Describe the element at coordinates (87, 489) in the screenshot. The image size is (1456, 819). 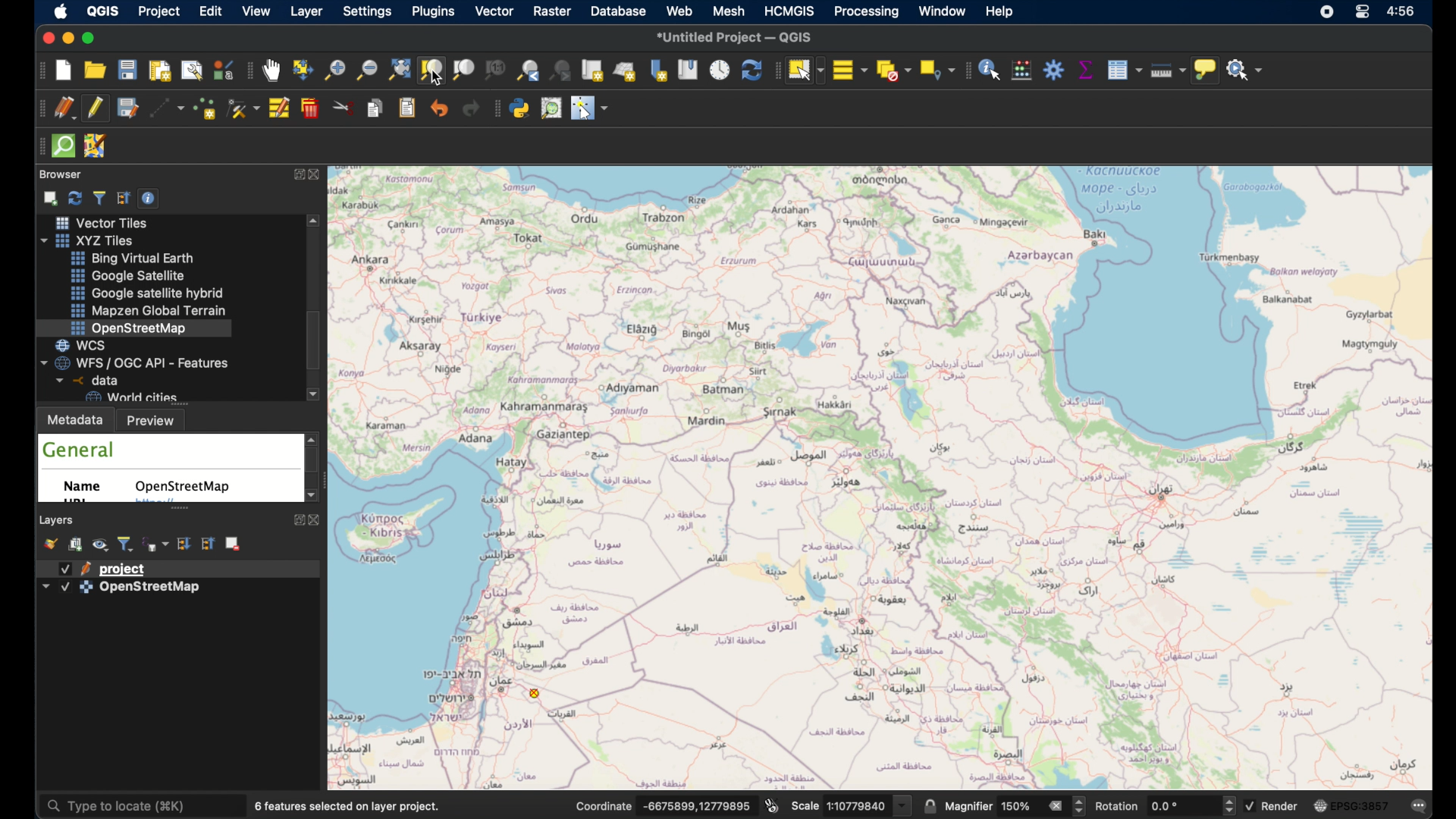
I see `name` at that location.